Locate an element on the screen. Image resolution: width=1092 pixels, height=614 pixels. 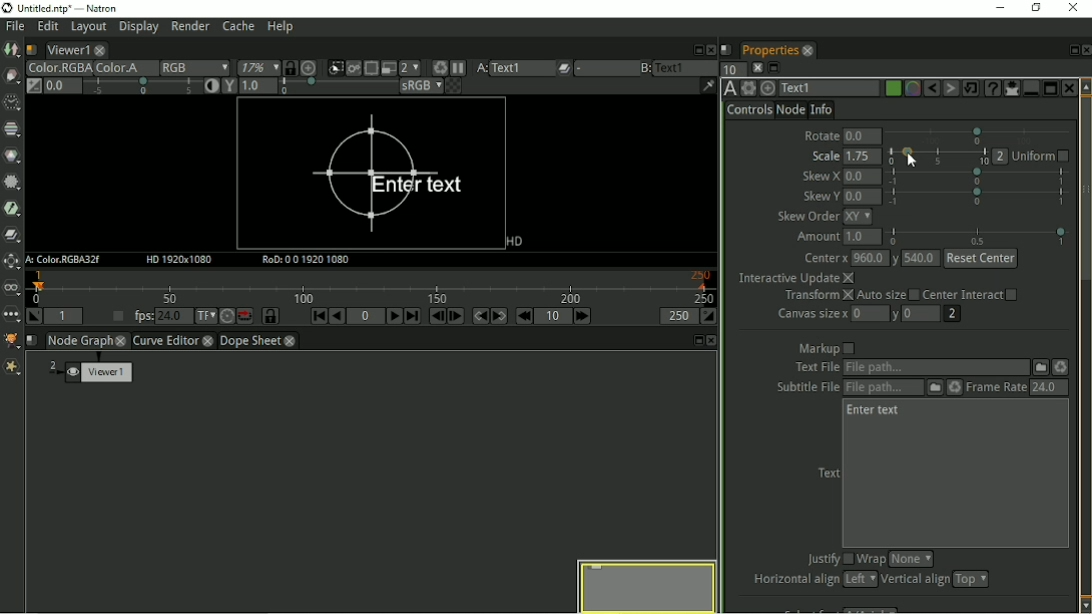
Playback frame rate is located at coordinates (117, 316).